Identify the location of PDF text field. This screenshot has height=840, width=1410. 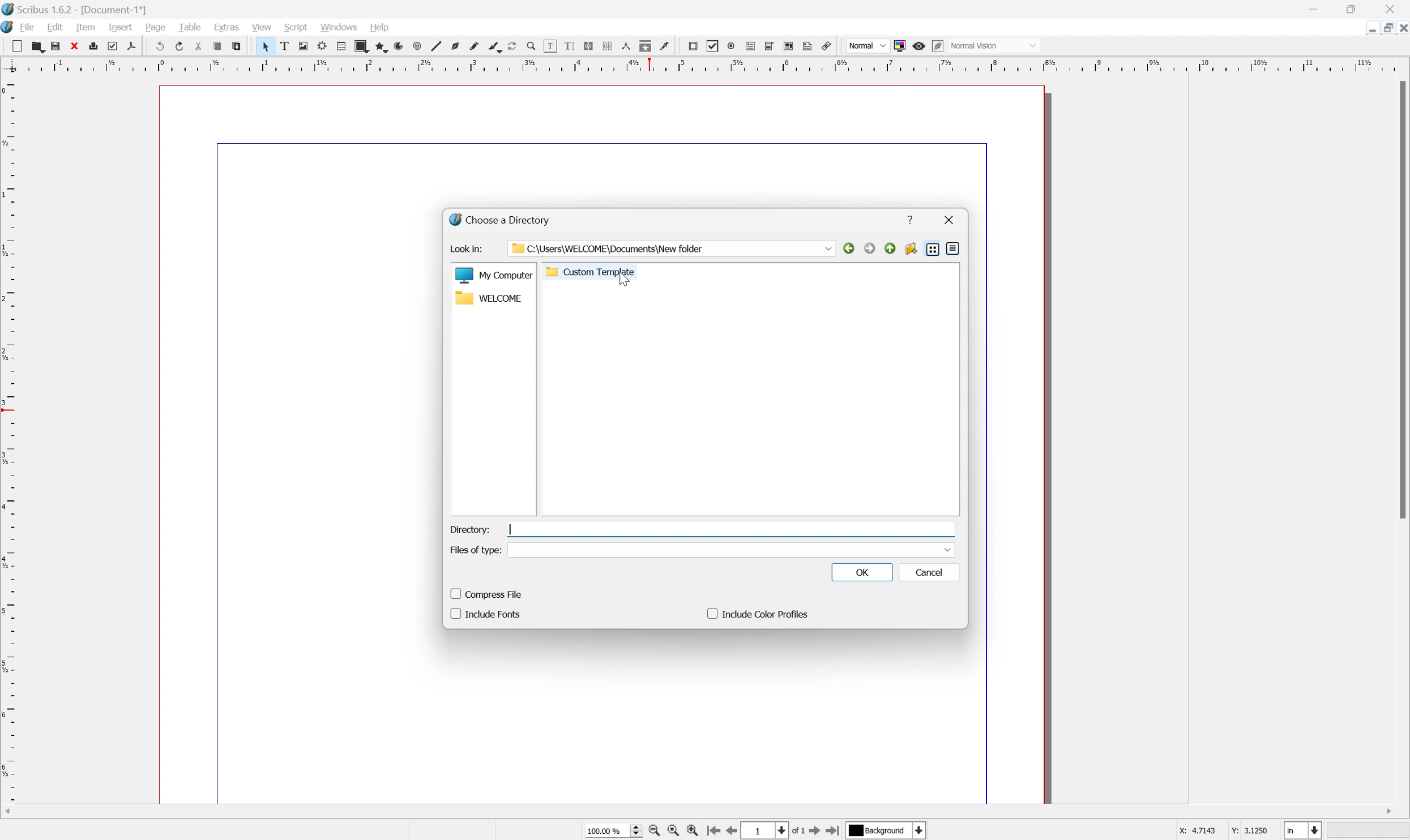
(750, 46).